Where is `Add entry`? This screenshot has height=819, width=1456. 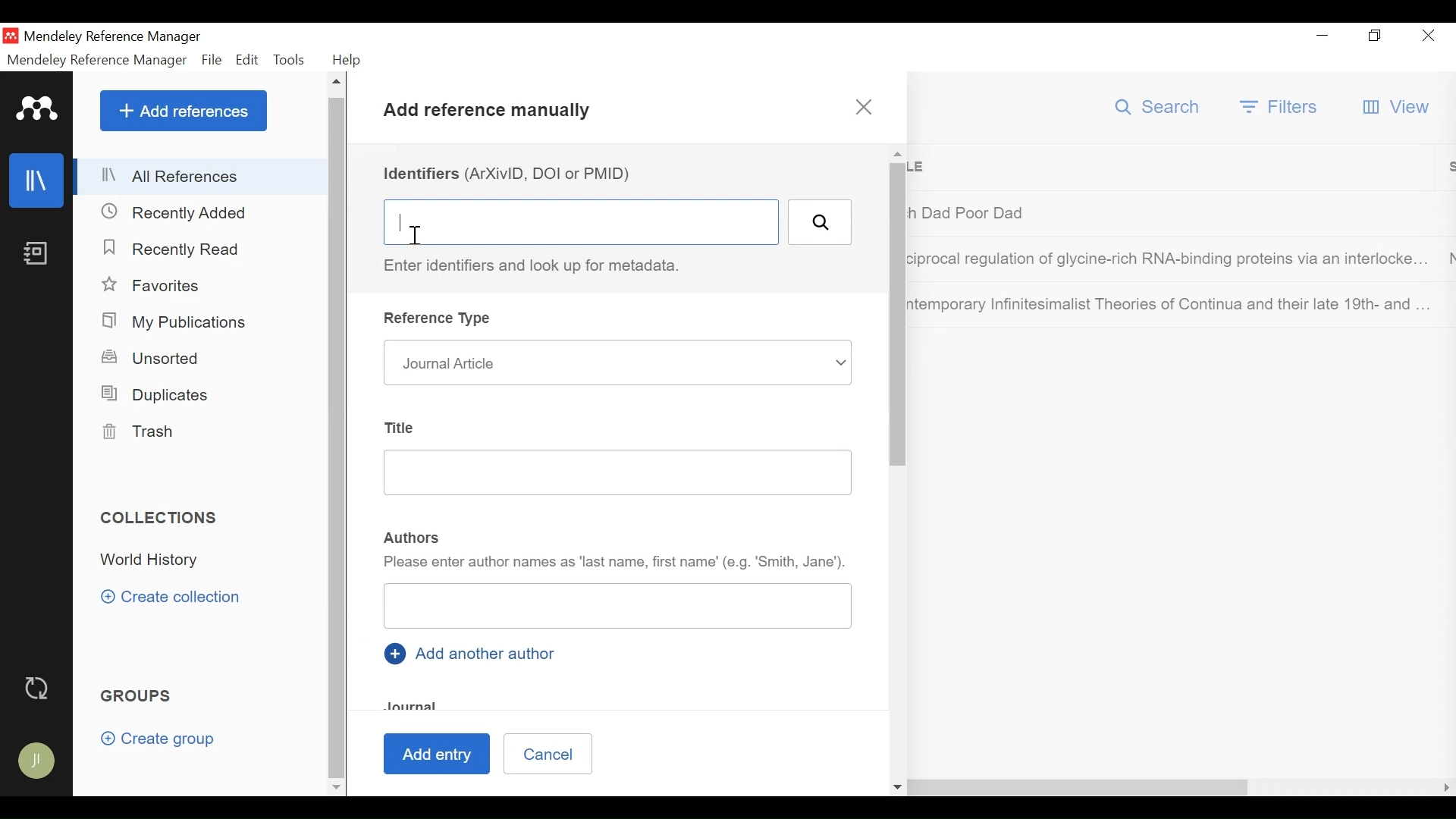
Add entry is located at coordinates (441, 754).